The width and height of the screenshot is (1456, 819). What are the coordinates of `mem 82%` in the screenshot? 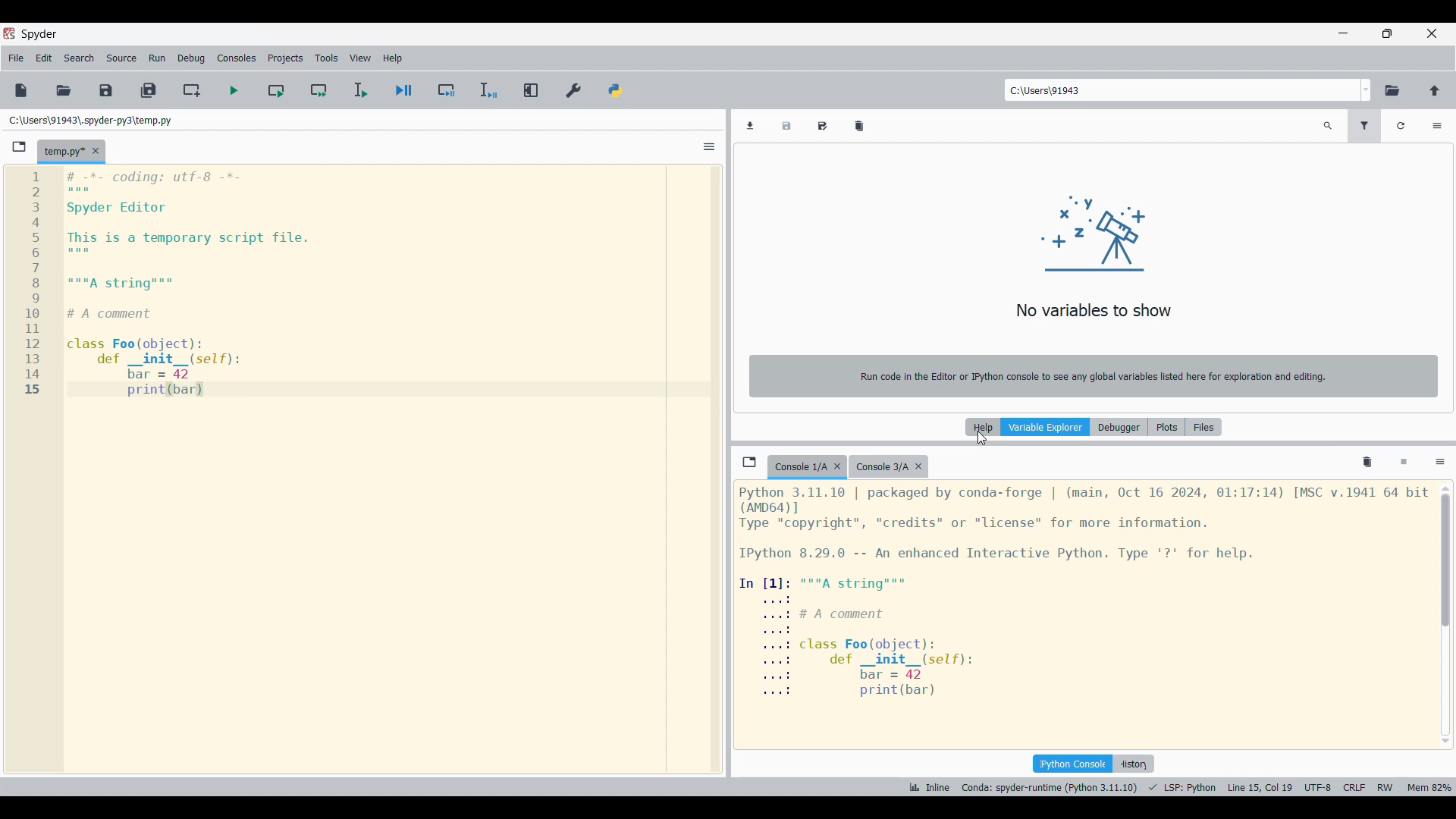 It's located at (1432, 785).